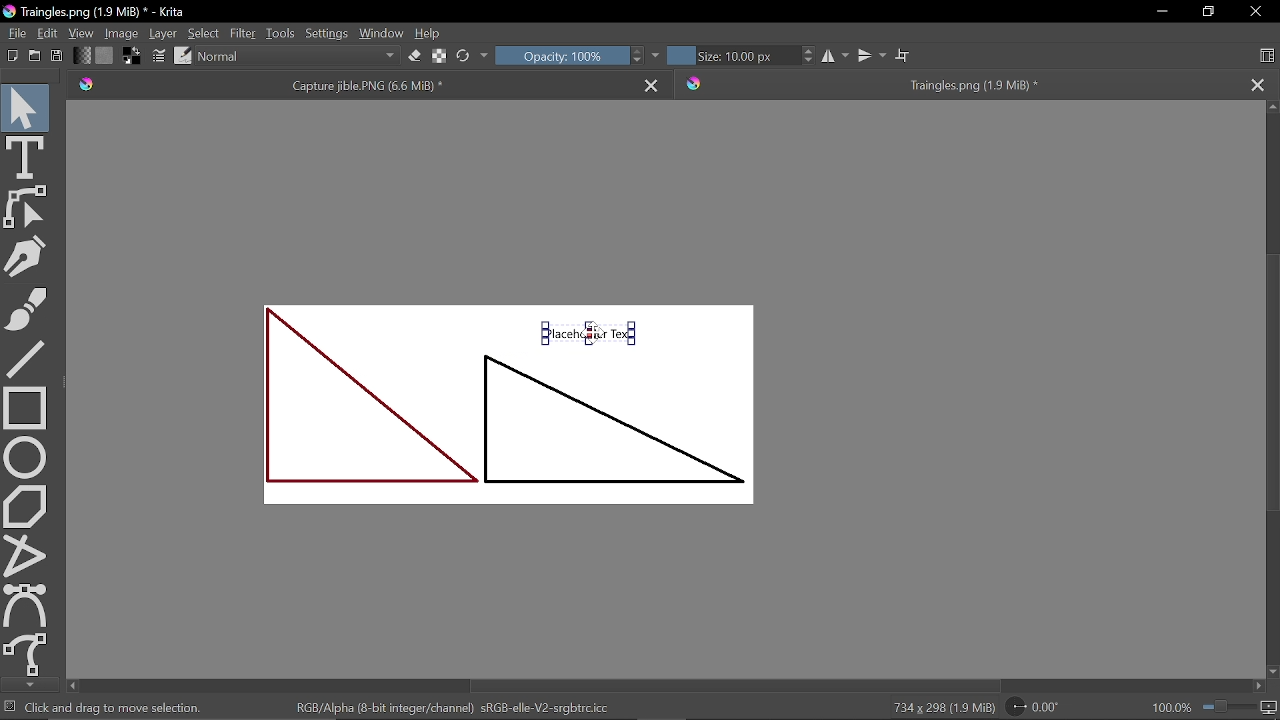  What do you see at coordinates (458, 707) in the screenshot?
I see `'RGB/Alpha (8-bit integer/channel) sRGB-elle-V2-srgbtrc.icc` at bounding box center [458, 707].